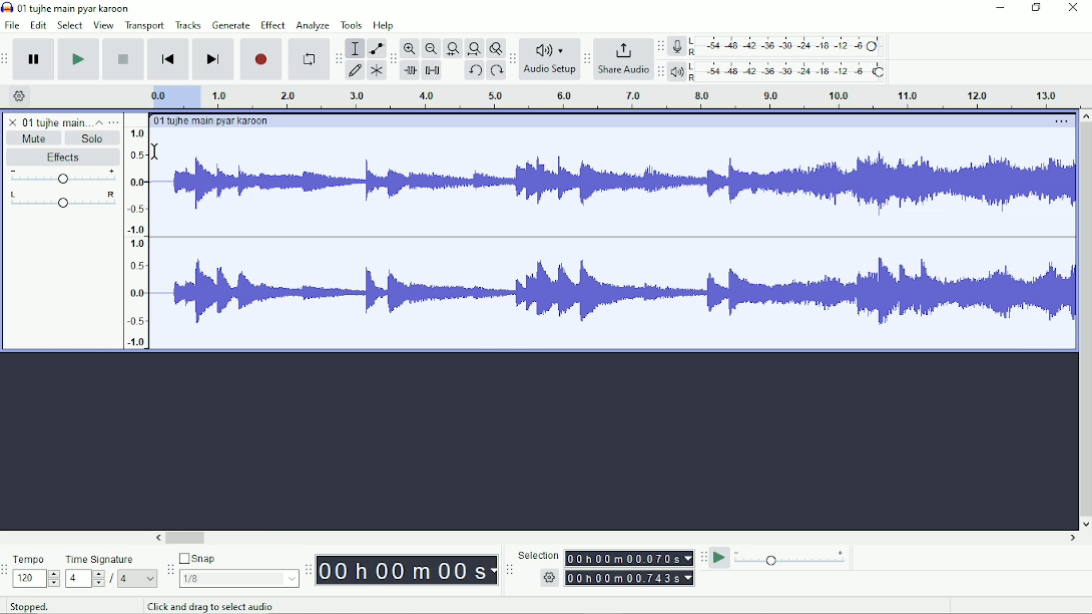 The width and height of the screenshot is (1092, 614). Describe the element at coordinates (475, 72) in the screenshot. I see `Undo` at that location.